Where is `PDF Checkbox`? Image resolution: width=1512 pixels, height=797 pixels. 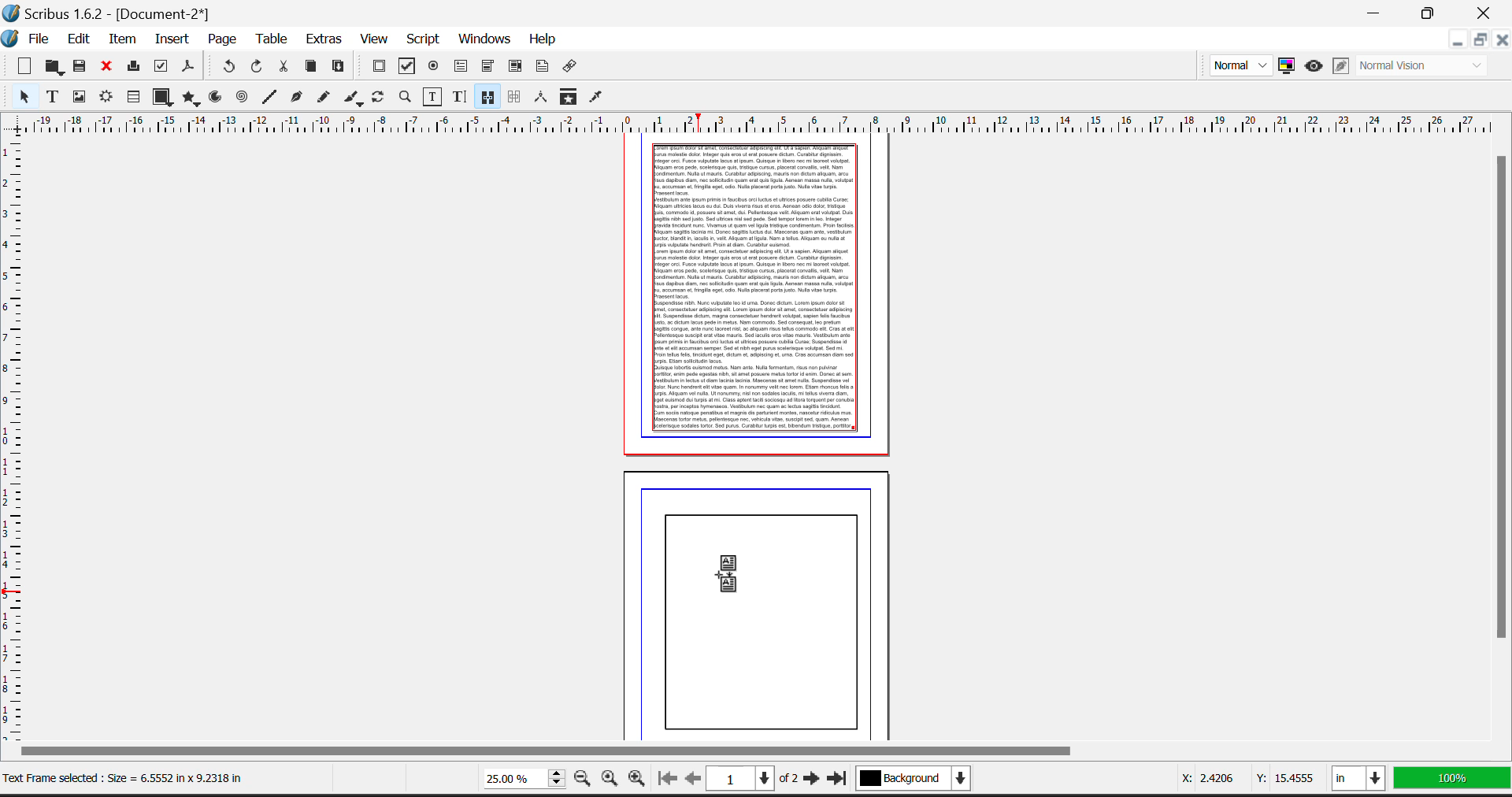 PDF Checkbox is located at coordinates (407, 66).